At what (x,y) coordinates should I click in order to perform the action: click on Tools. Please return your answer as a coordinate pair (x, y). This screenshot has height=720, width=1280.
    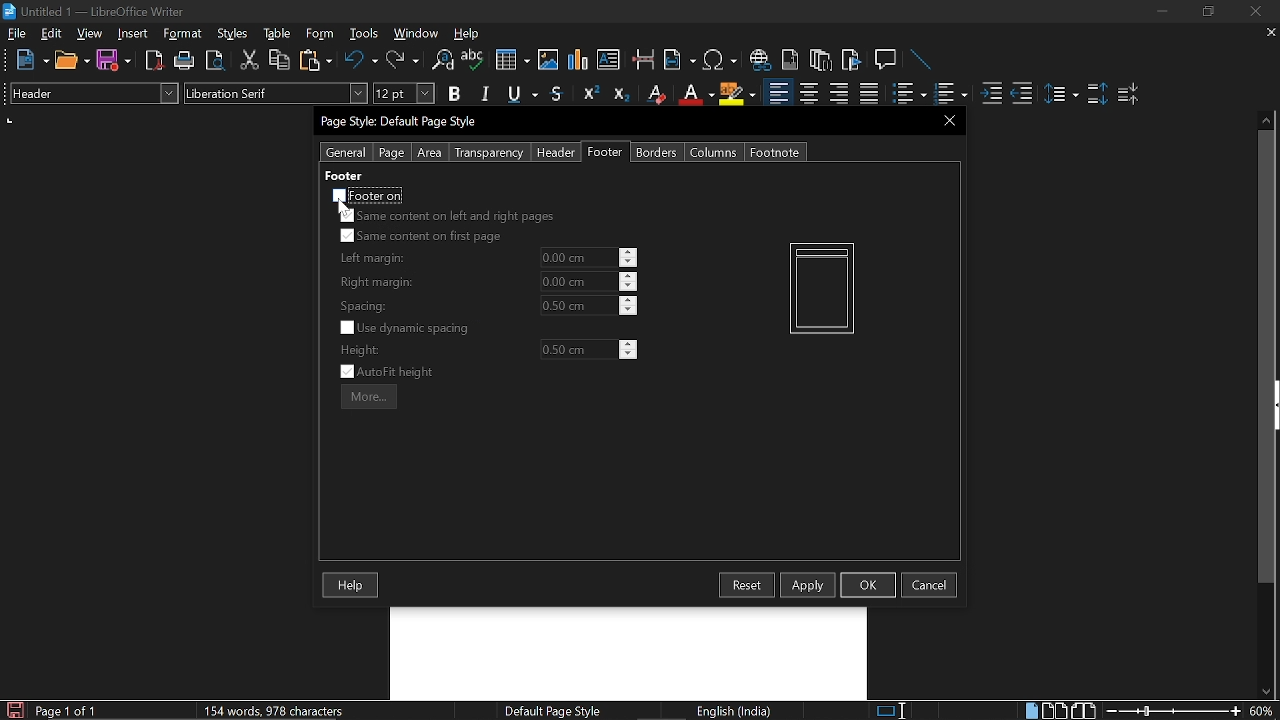
    Looking at the image, I should click on (364, 34).